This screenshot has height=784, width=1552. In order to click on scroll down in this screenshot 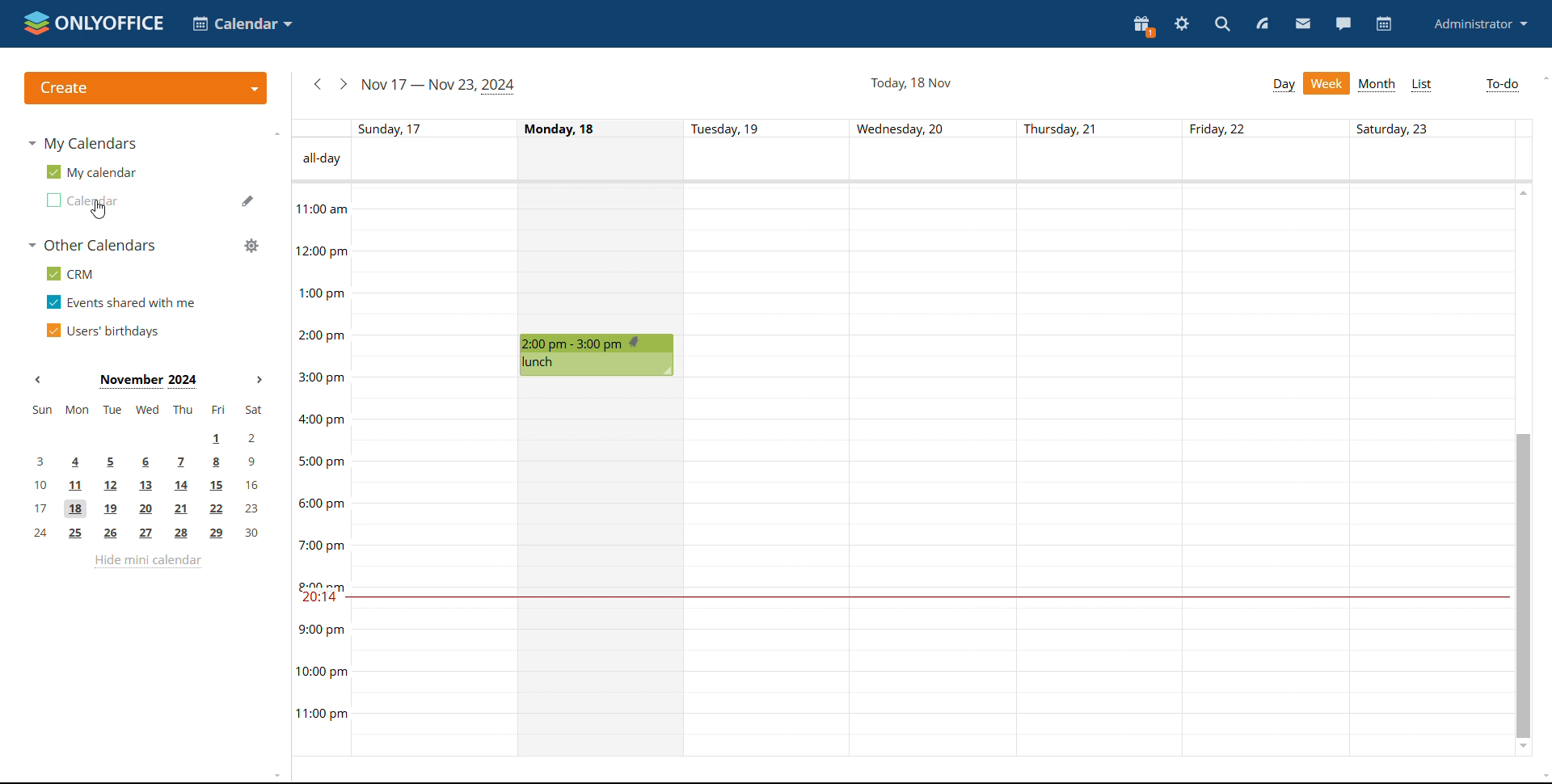, I will do `click(1523, 747)`.